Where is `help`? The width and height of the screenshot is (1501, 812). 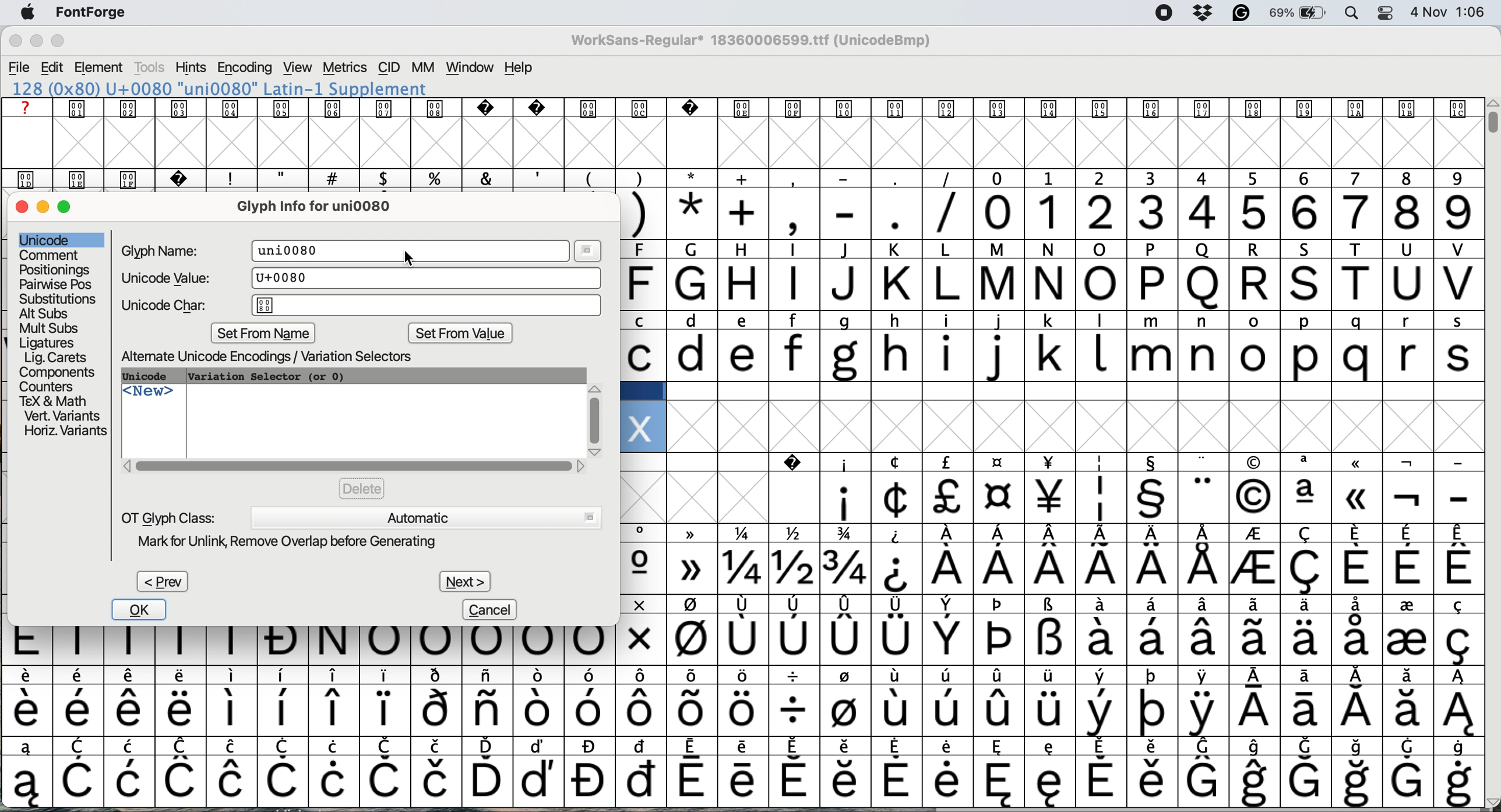
help is located at coordinates (520, 68).